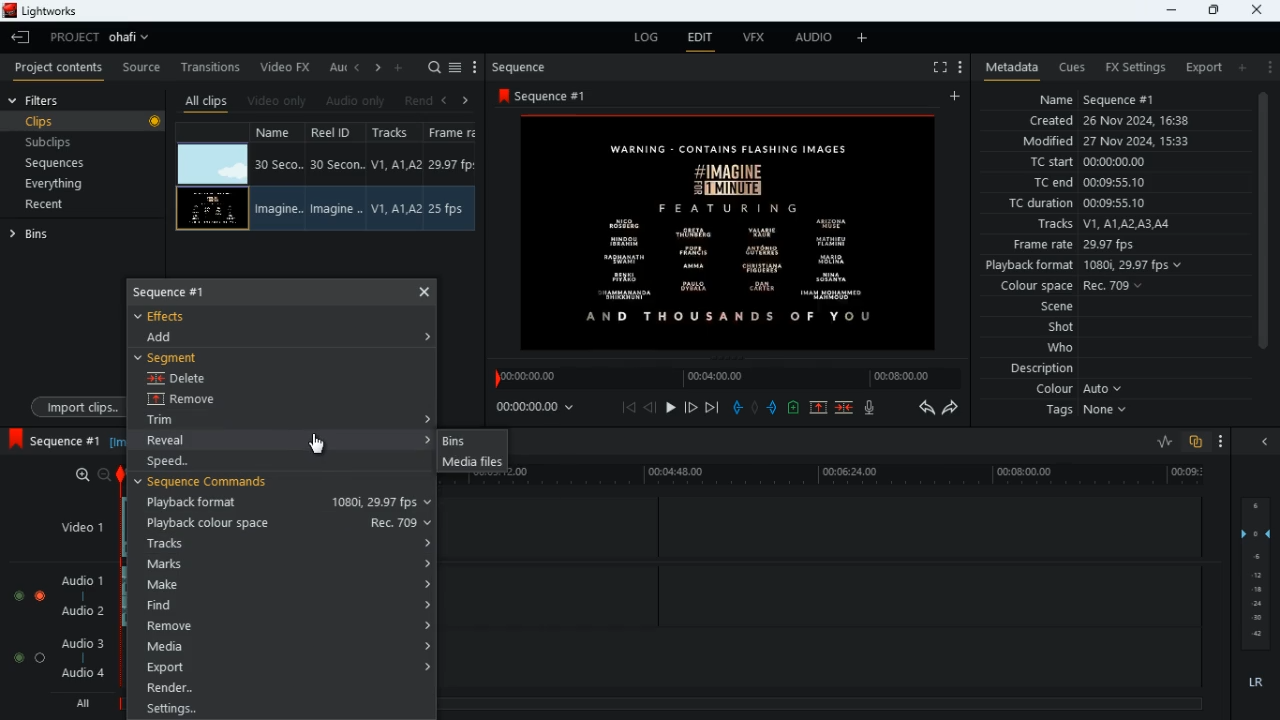  Describe the element at coordinates (84, 644) in the screenshot. I see `audio 3` at that location.